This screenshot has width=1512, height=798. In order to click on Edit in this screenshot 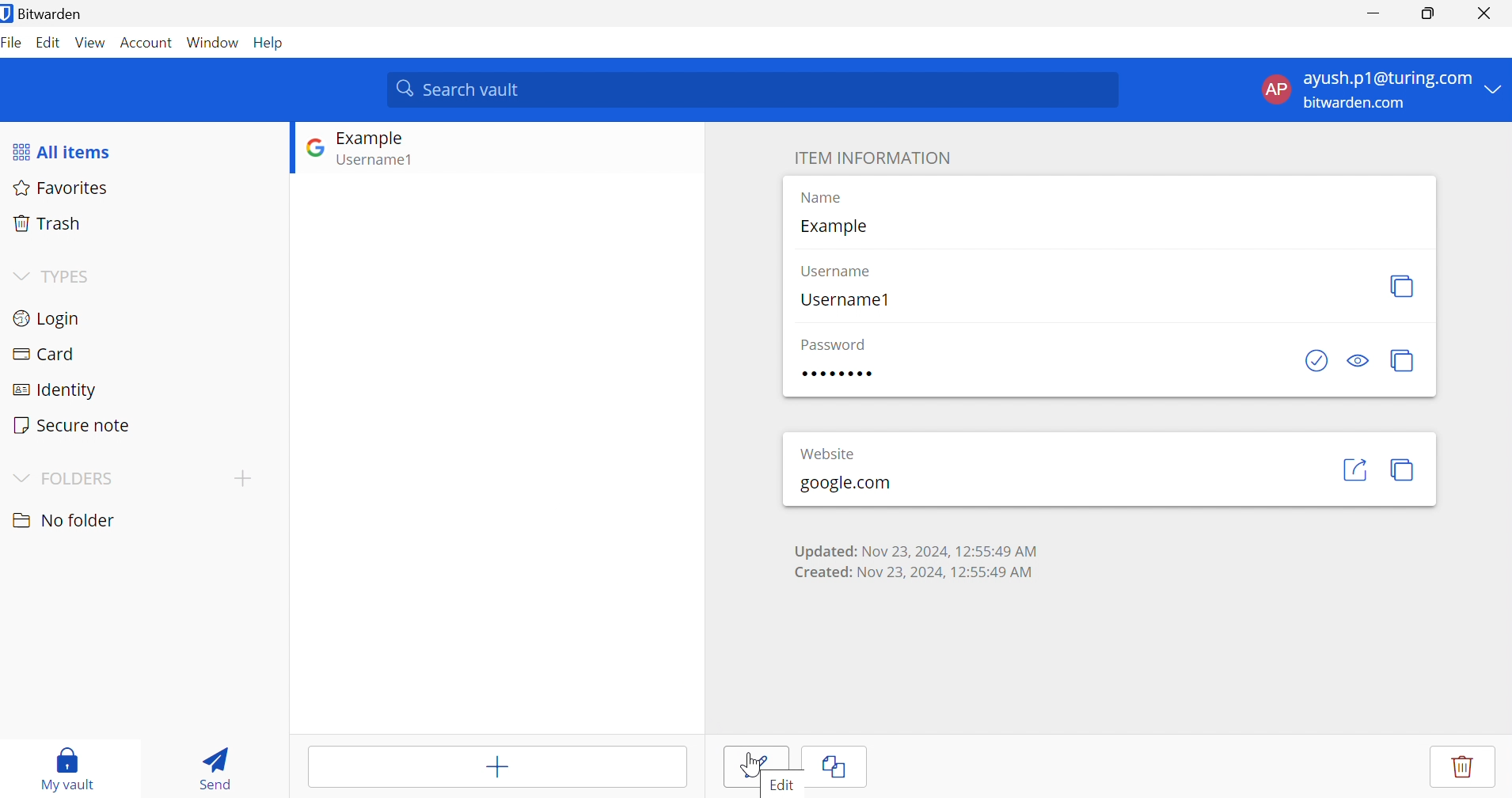, I will do `click(757, 766)`.